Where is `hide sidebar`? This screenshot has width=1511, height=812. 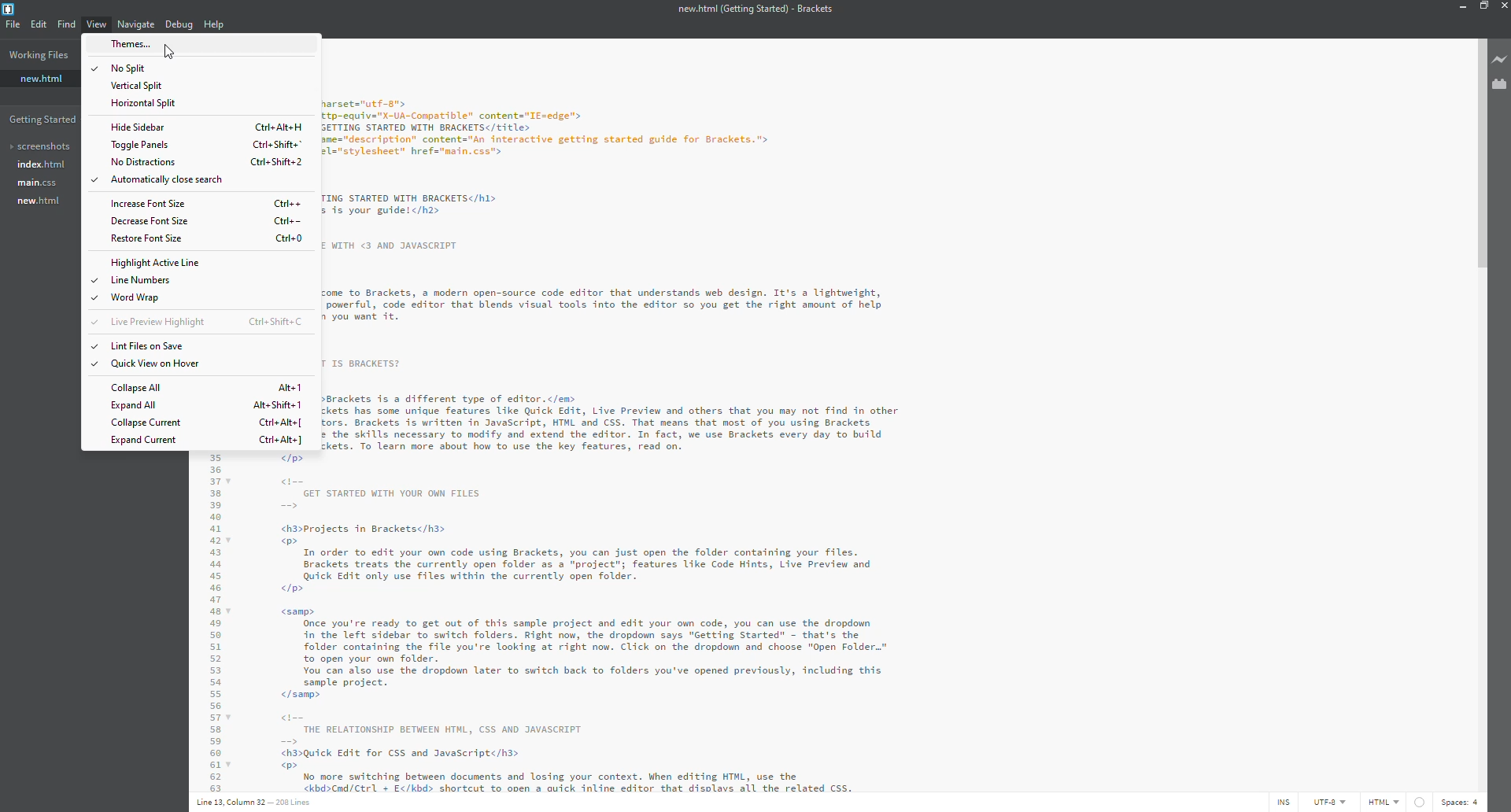
hide sidebar is located at coordinates (139, 127).